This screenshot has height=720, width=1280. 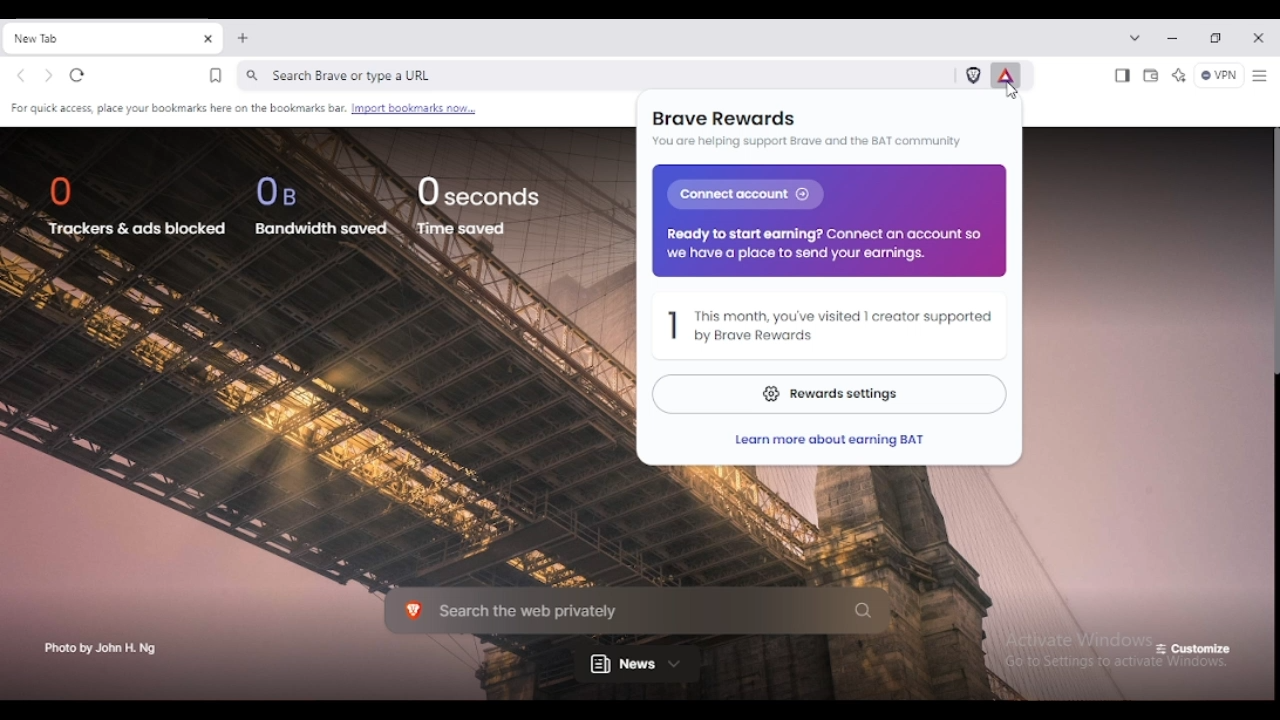 What do you see at coordinates (134, 205) in the screenshot?
I see `0 trackers & ads blocked` at bounding box center [134, 205].